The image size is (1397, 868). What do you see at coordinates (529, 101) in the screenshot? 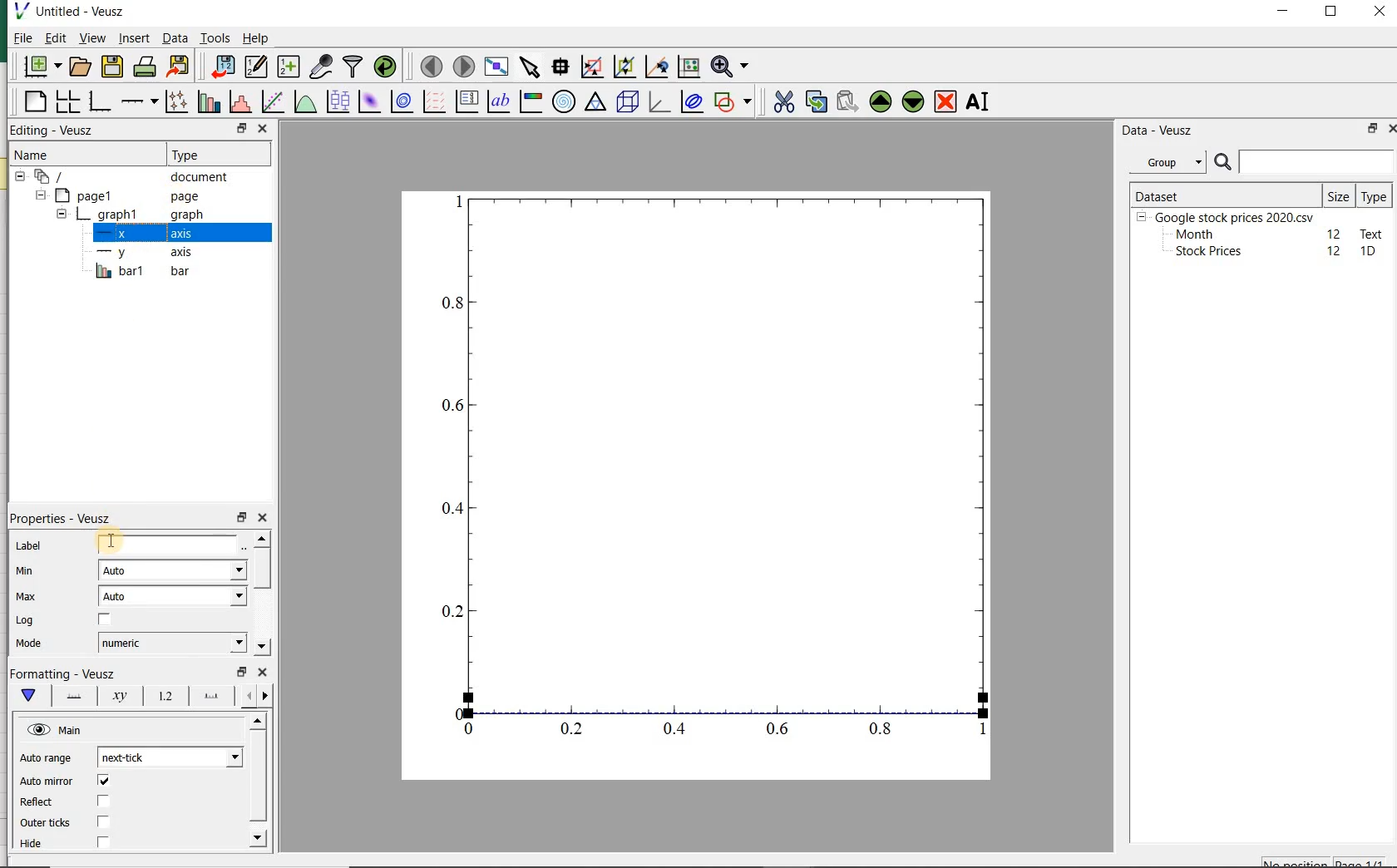
I see `image color bar` at bounding box center [529, 101].